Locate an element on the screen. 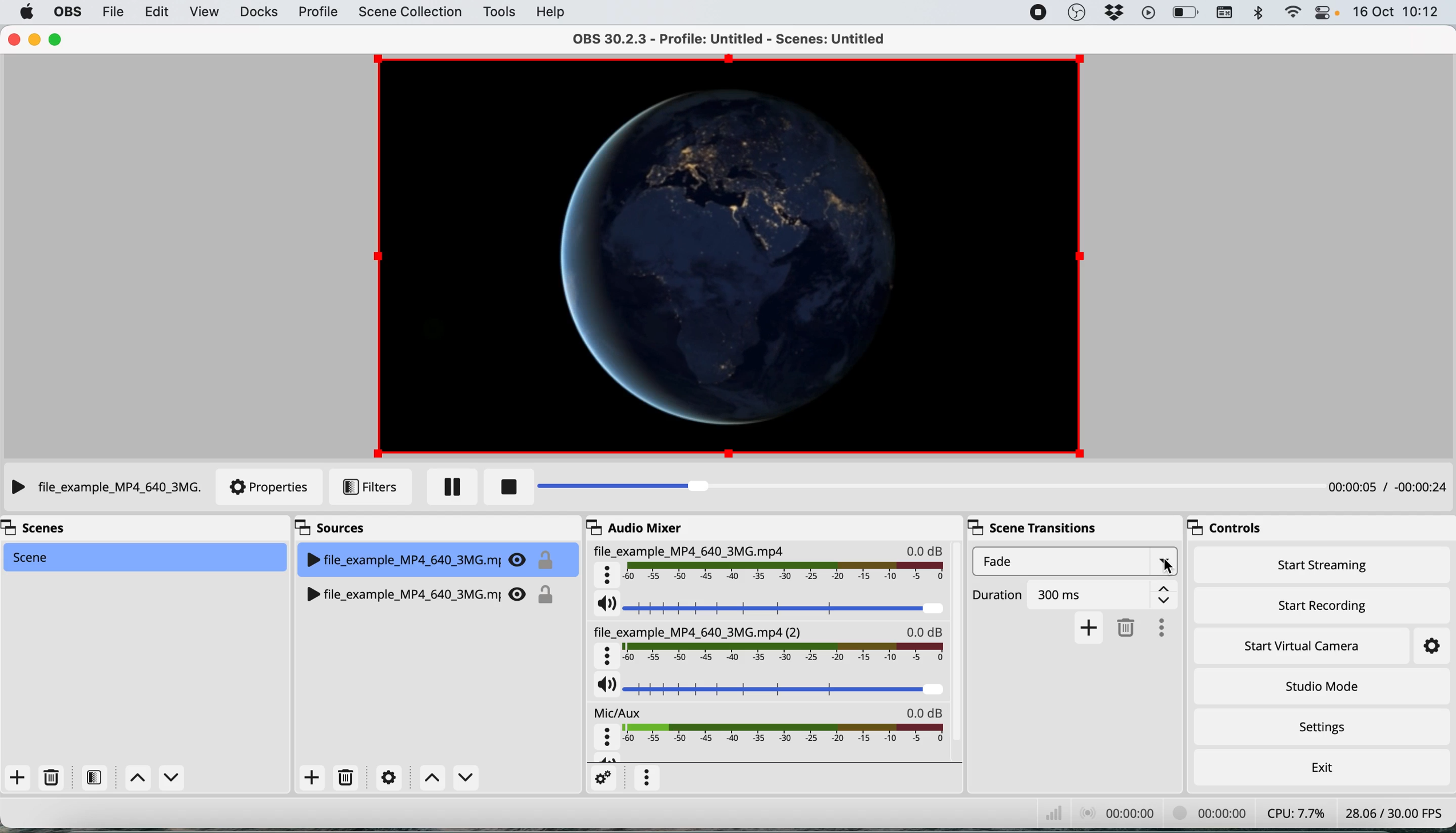  delete scene is located at coordinates (52, 777).